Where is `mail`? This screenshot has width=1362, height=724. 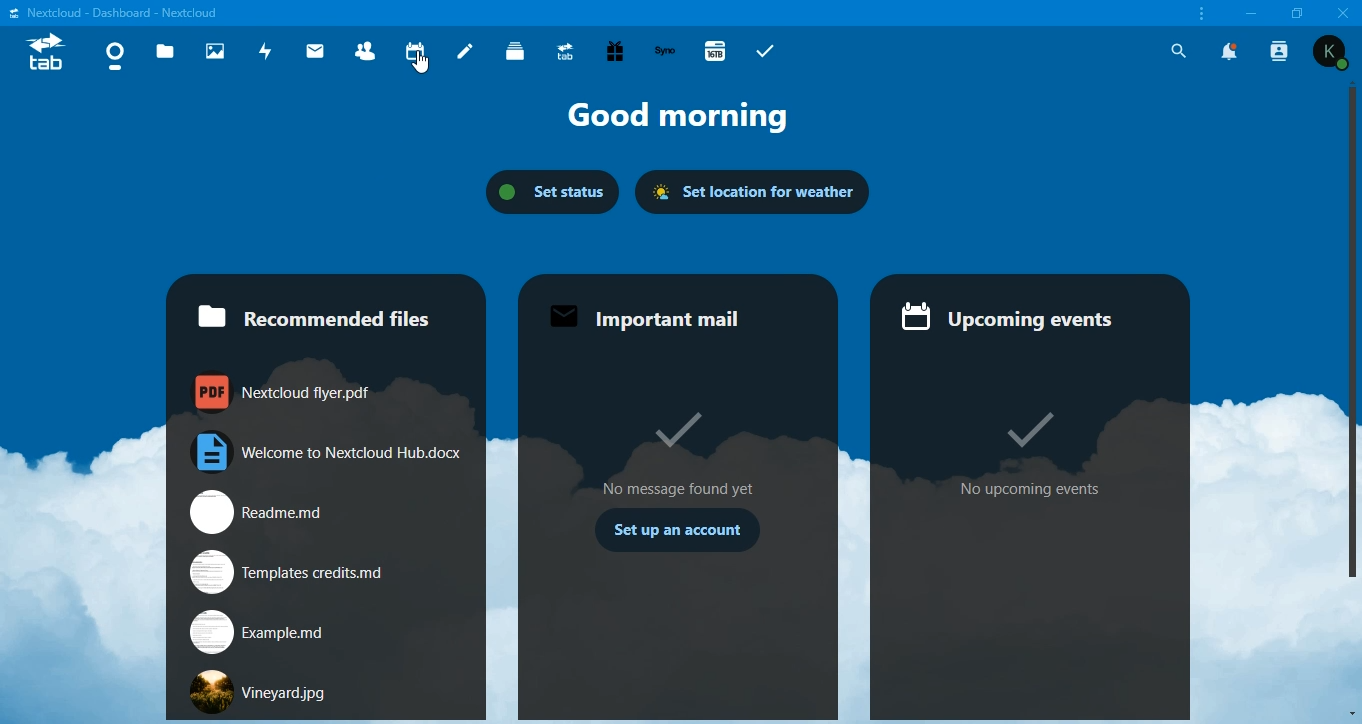
mail is located at coordinates (316, 50).